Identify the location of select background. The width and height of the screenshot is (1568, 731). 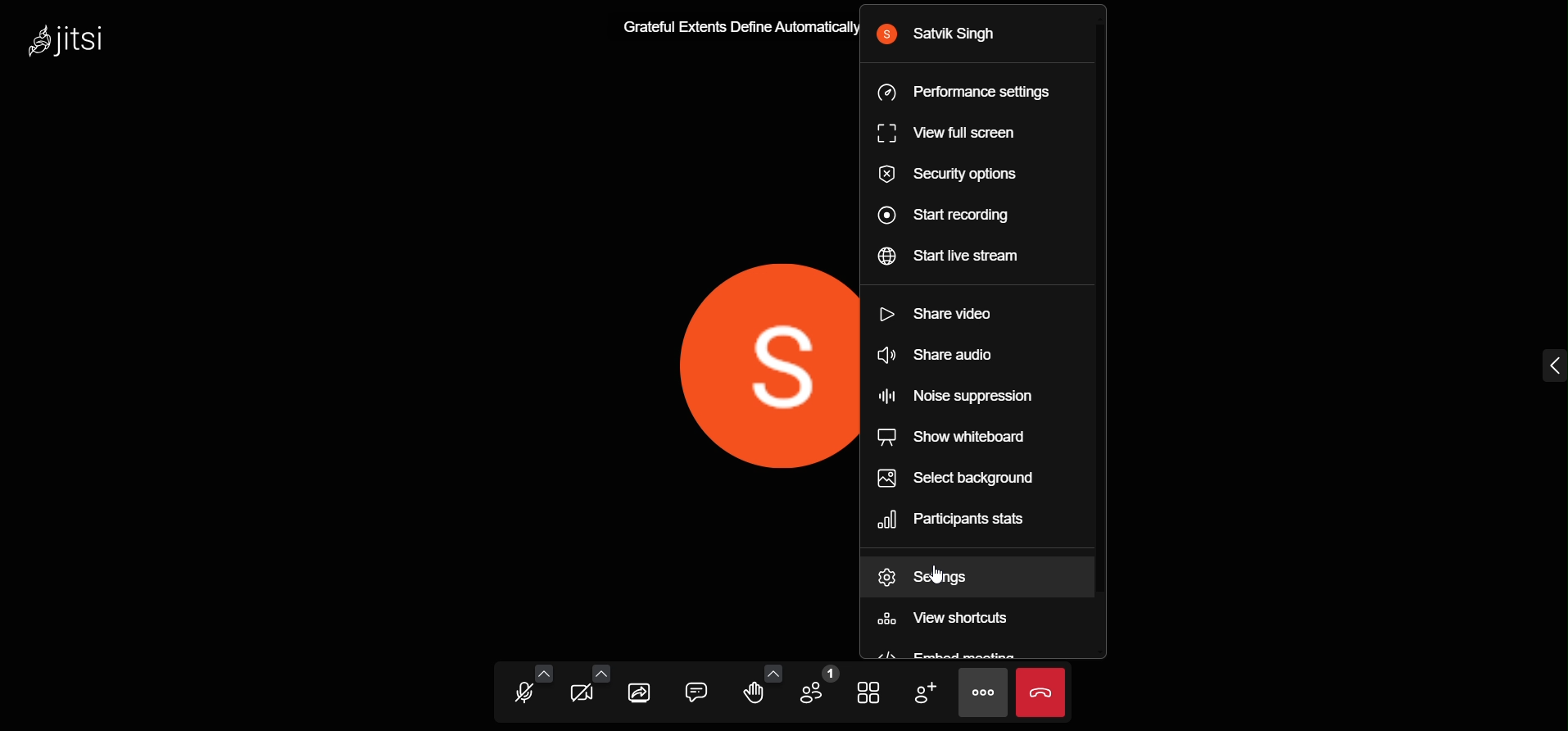
(968, 477).